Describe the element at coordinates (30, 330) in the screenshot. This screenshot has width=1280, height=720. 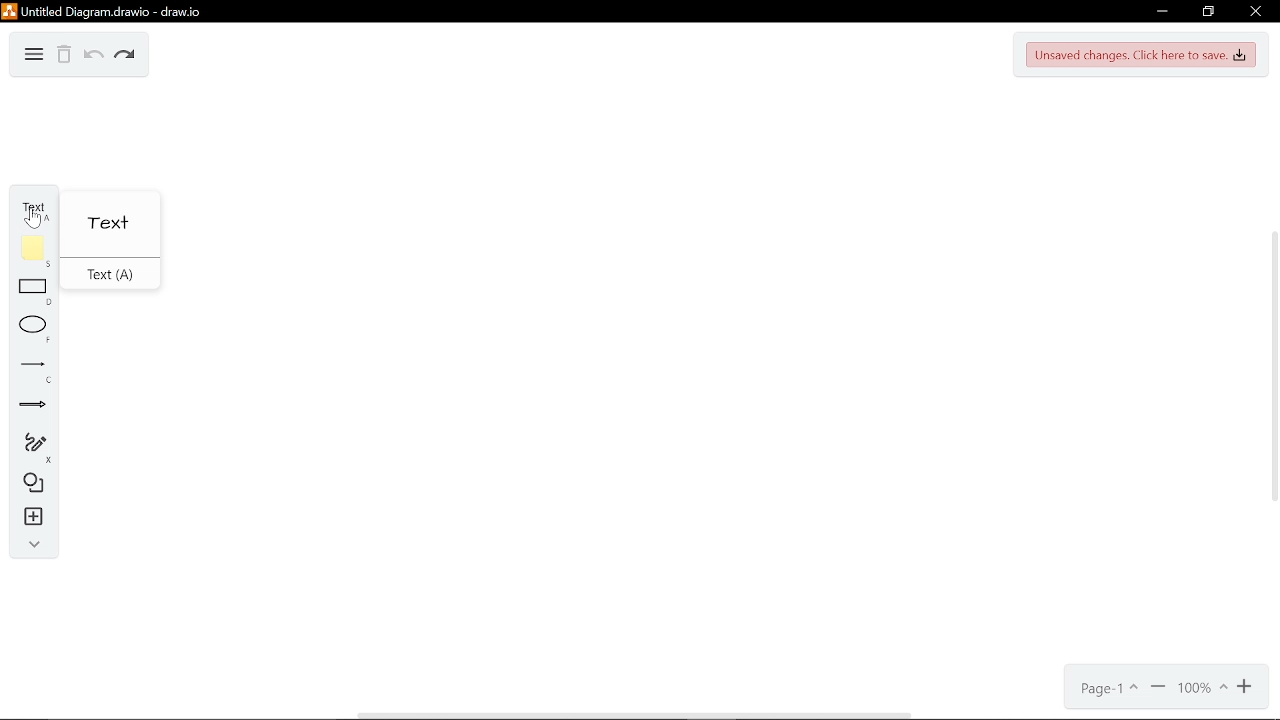
I see `Ellipse` at that location.